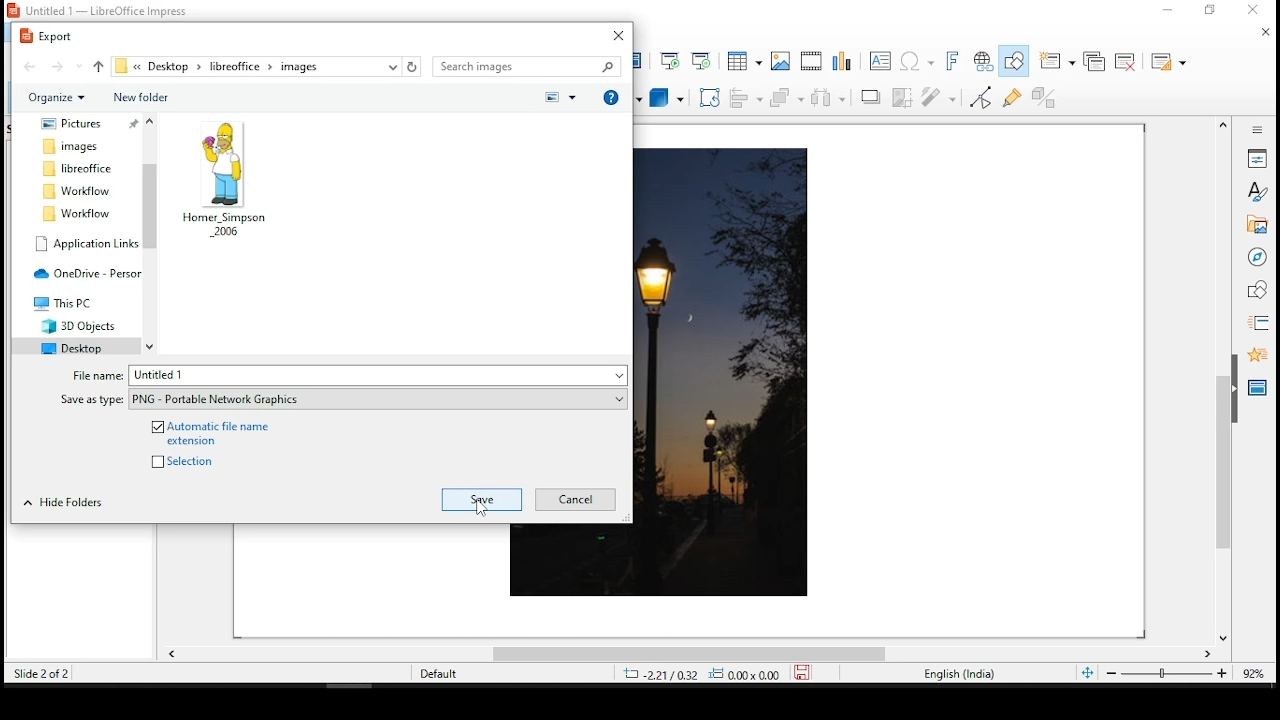  I want to click on hyperlink, so click(983, 59).